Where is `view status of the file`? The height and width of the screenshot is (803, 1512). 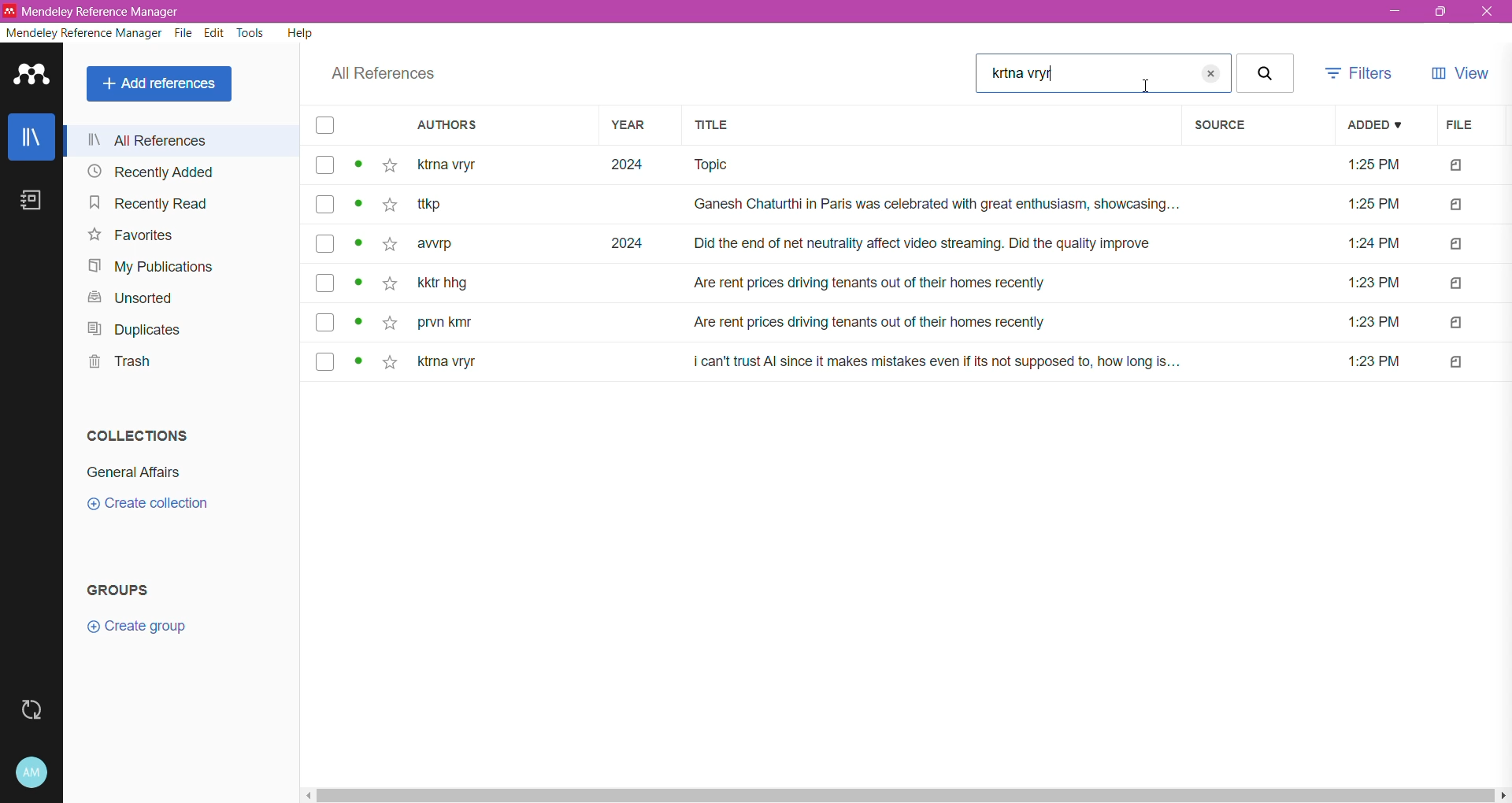 view status of the file is located at coordinates (359, 285).